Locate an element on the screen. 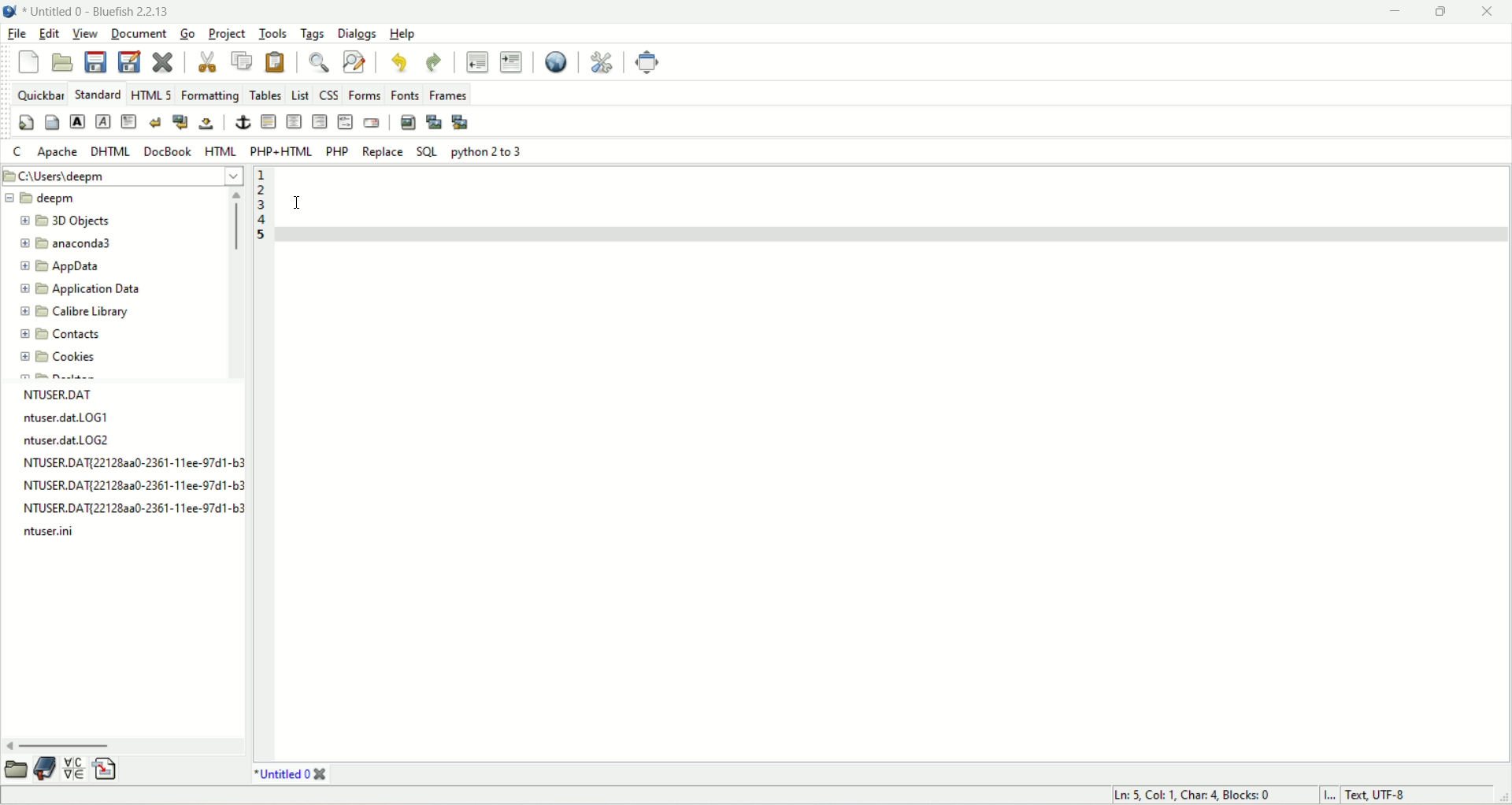 This screenshot has width=1512, height=805. preview in browser is located at coordinates (554, 63).